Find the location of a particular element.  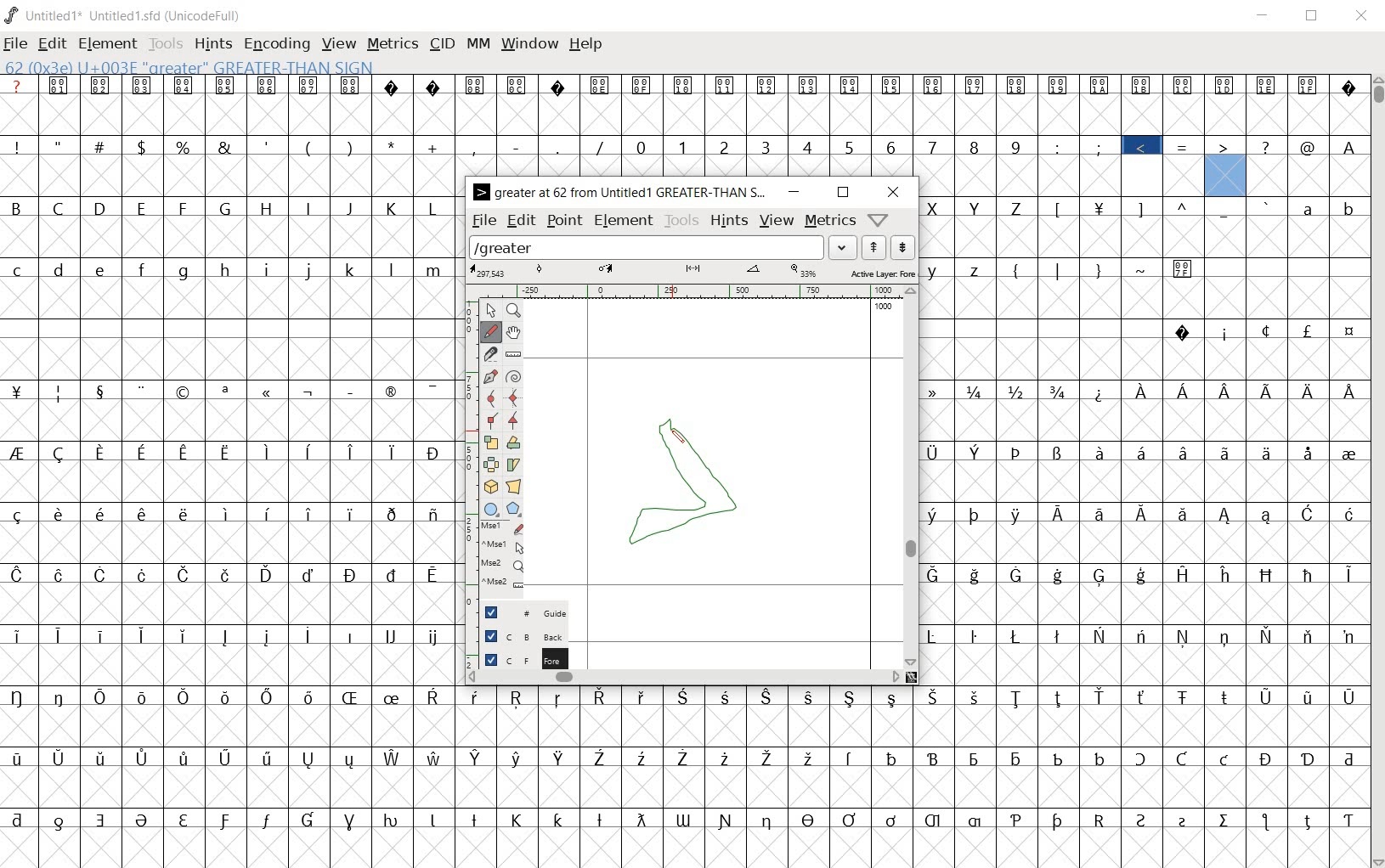

close is located at coordinates (1360, 15).